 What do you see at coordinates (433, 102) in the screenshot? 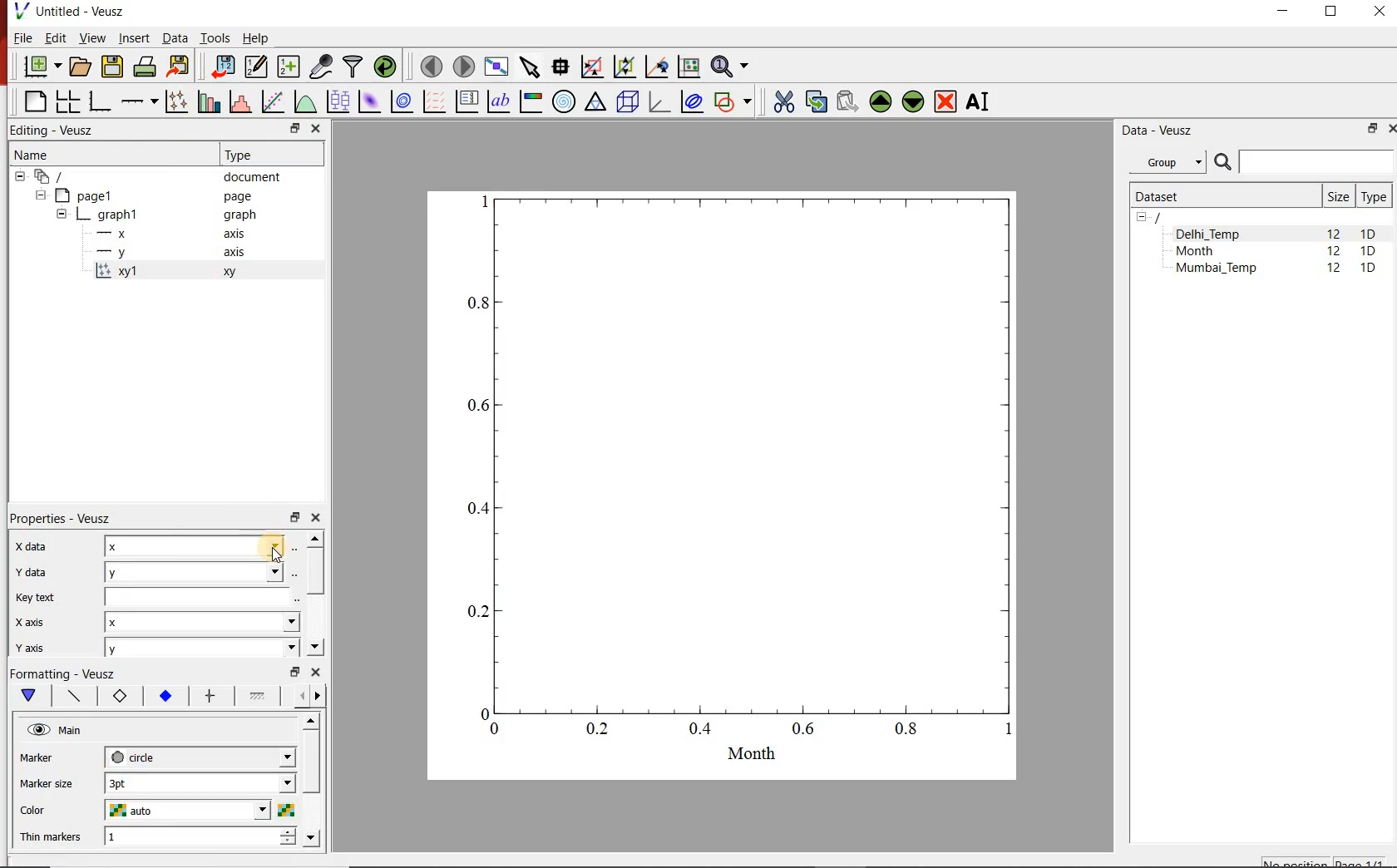
I see `plot a vector field` at bounding box center [433, 102].